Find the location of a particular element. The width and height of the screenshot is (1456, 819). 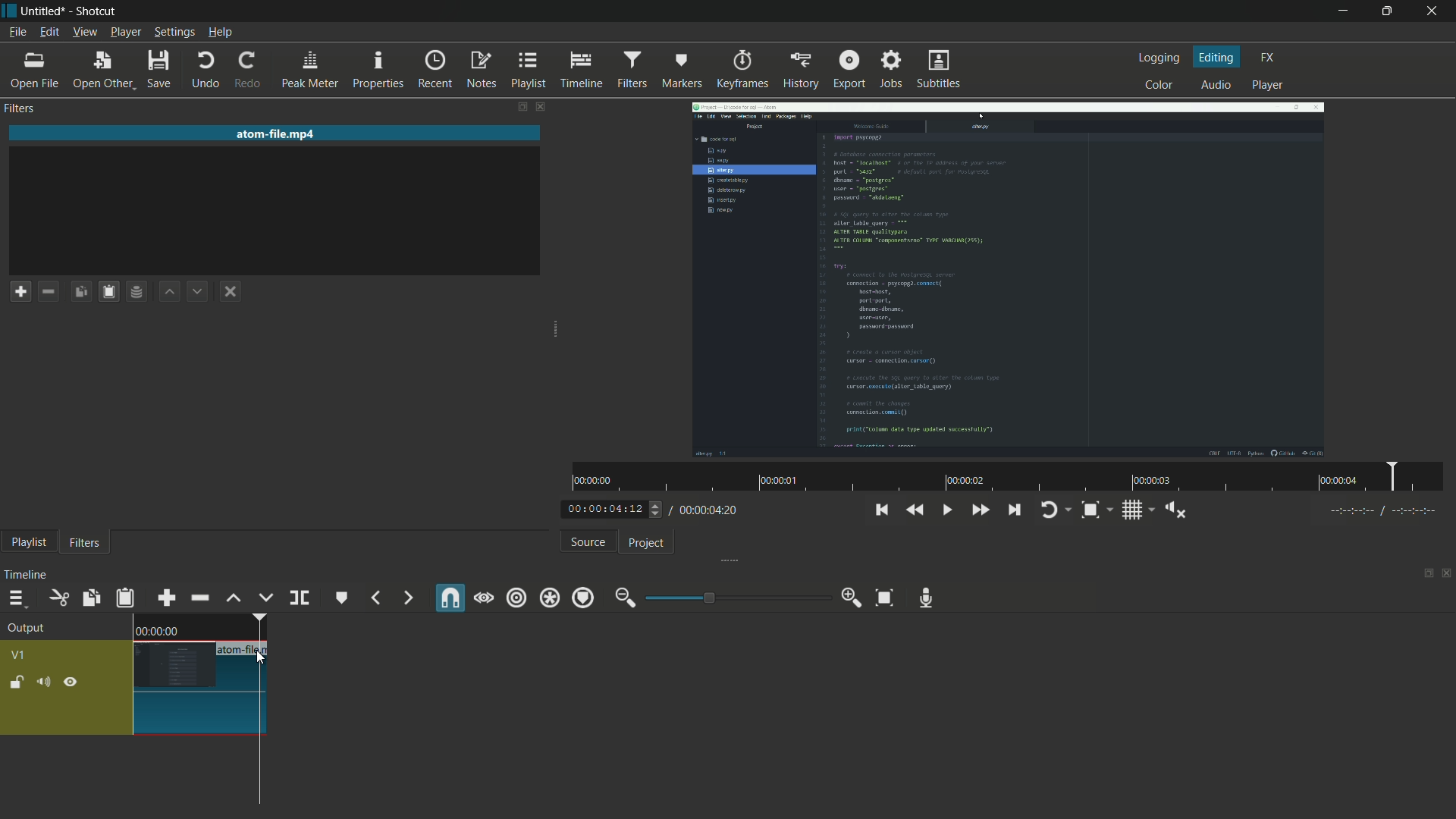

audio is located at coordinates (1217, 86).